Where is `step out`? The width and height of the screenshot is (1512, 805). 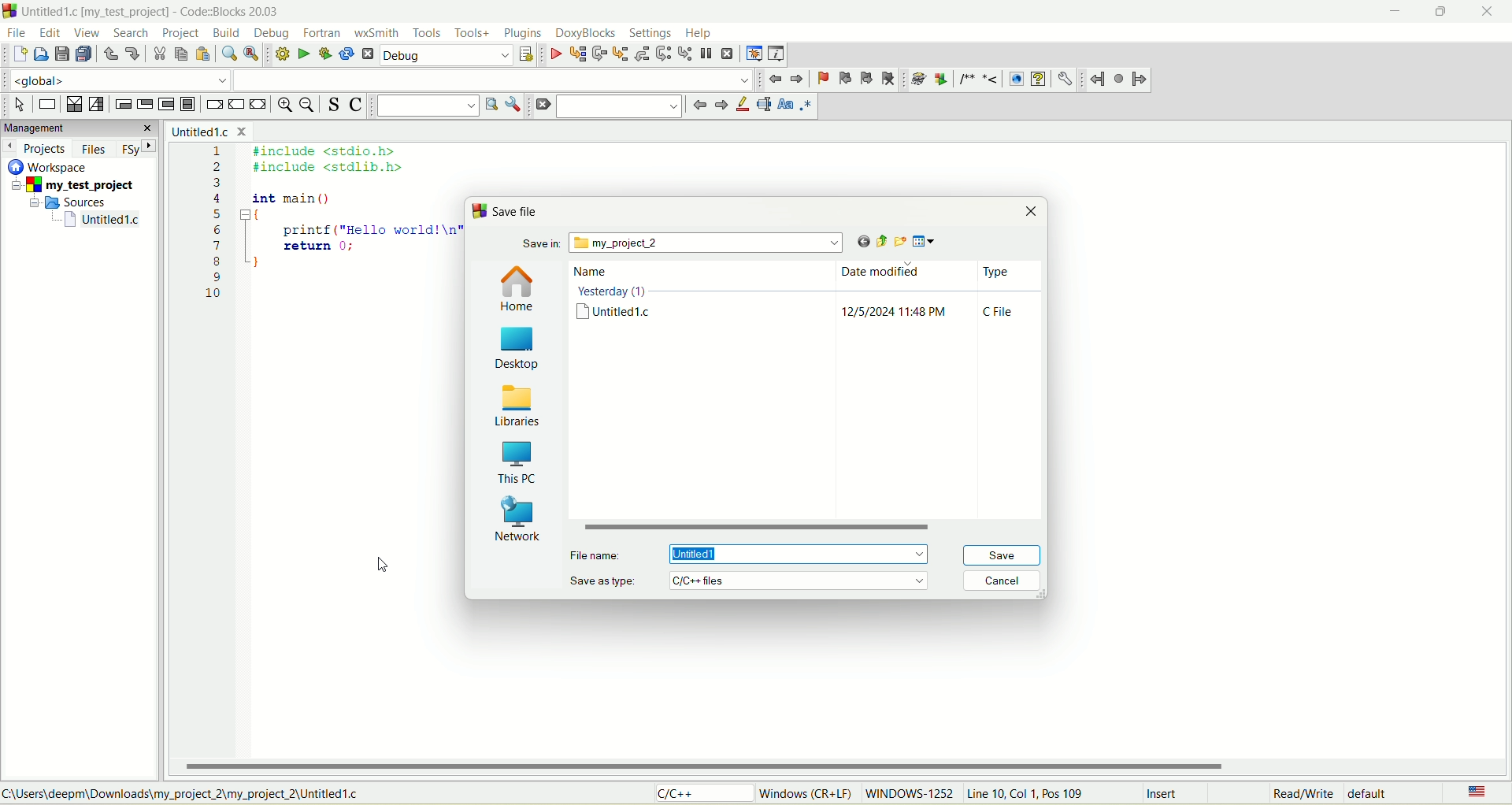 step out is located at coordinates (640, 54).